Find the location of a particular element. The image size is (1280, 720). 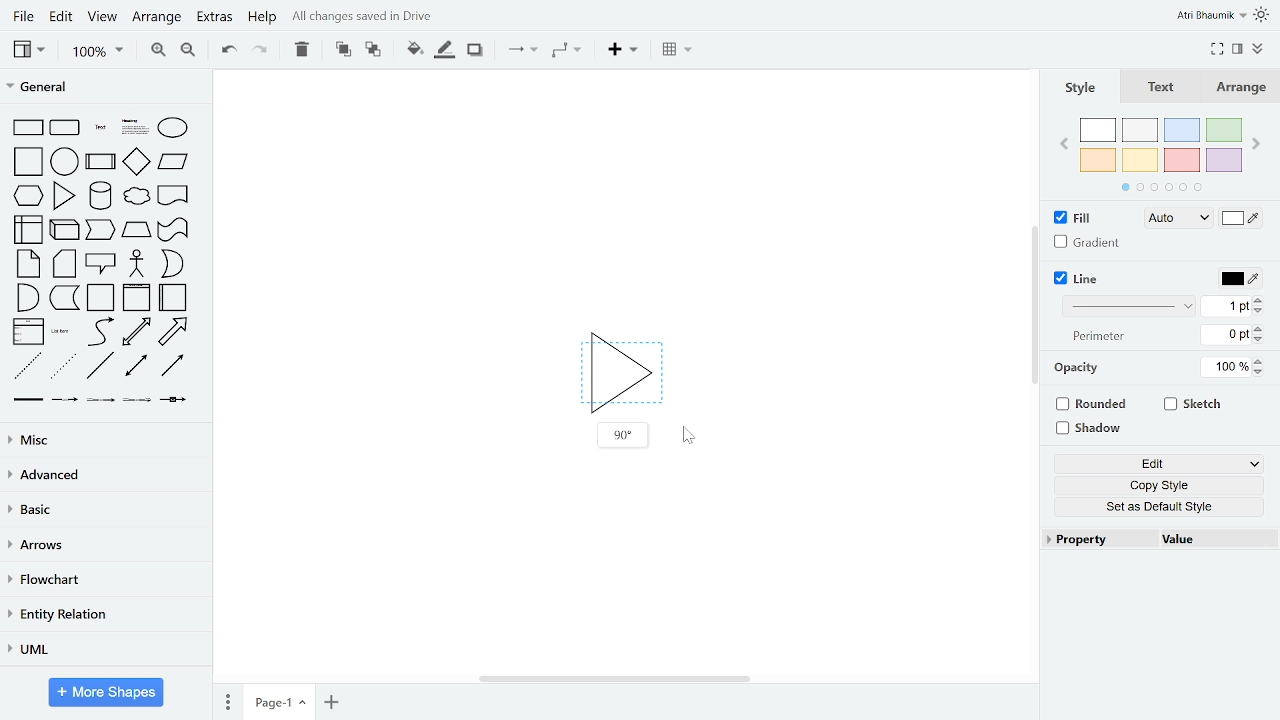

collapse is located at coordinates (1258, 50).